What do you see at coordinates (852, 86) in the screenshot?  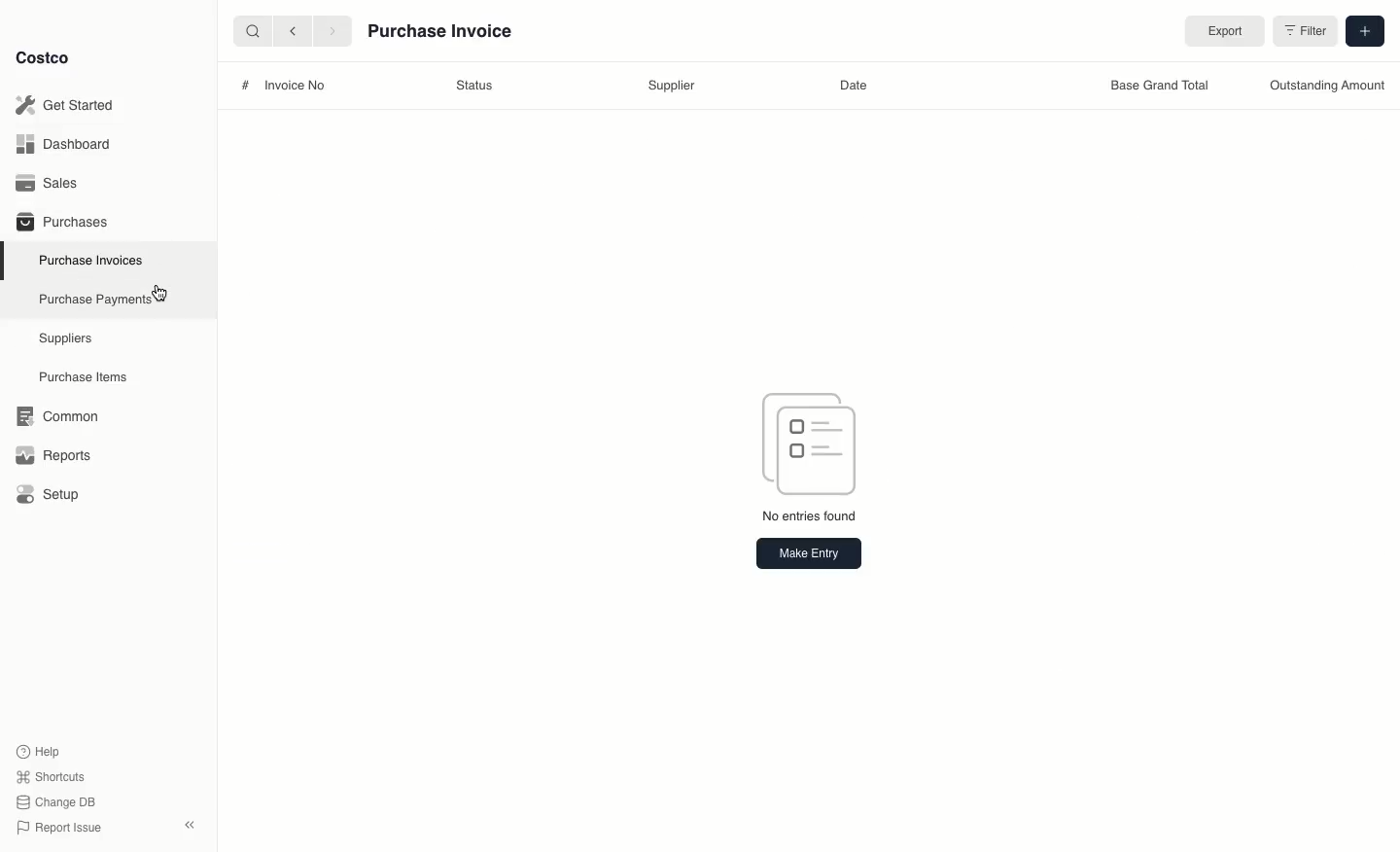 I see `Date` at bounding box center [852, 86].